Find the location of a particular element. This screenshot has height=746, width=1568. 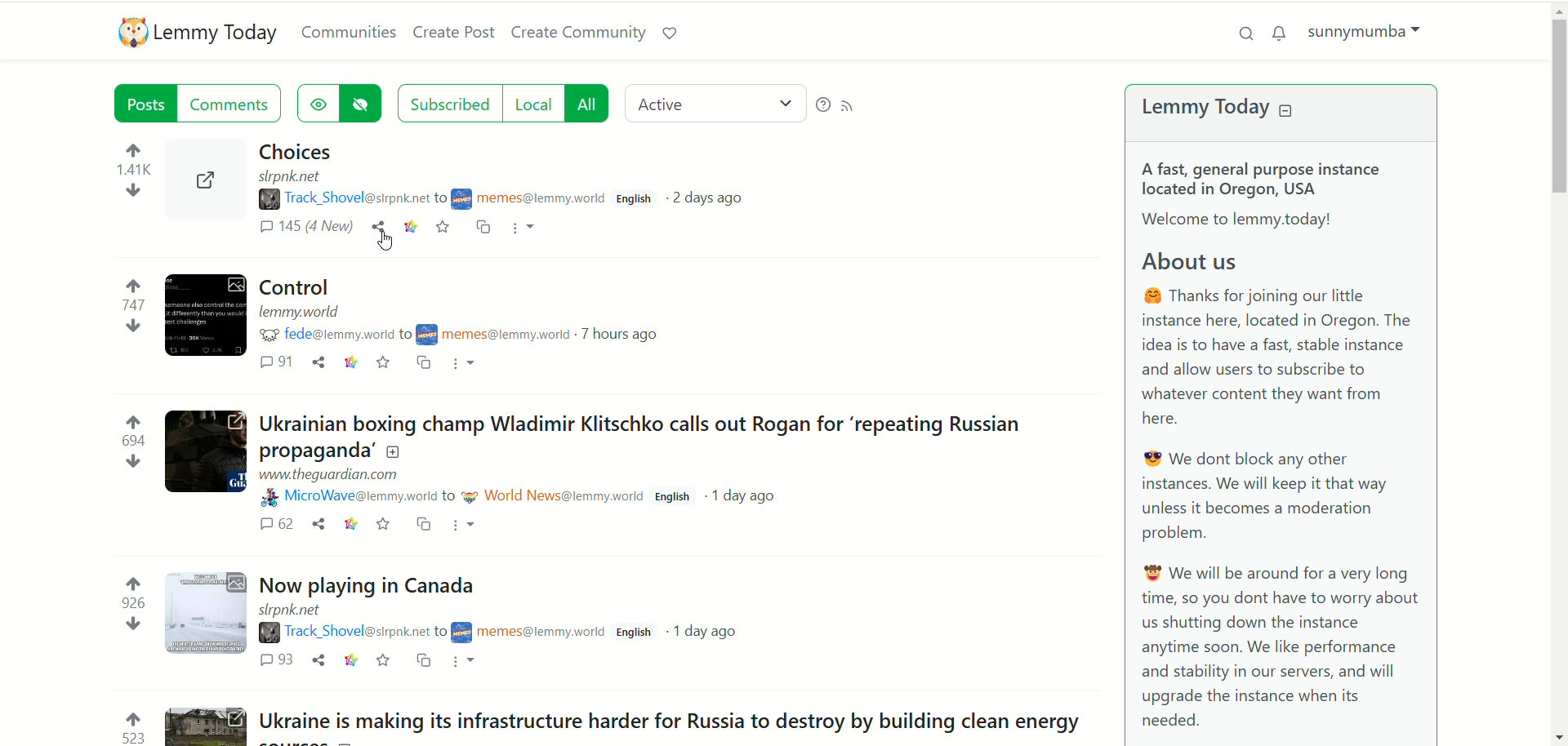

comments is located at coordinates (234, 102).